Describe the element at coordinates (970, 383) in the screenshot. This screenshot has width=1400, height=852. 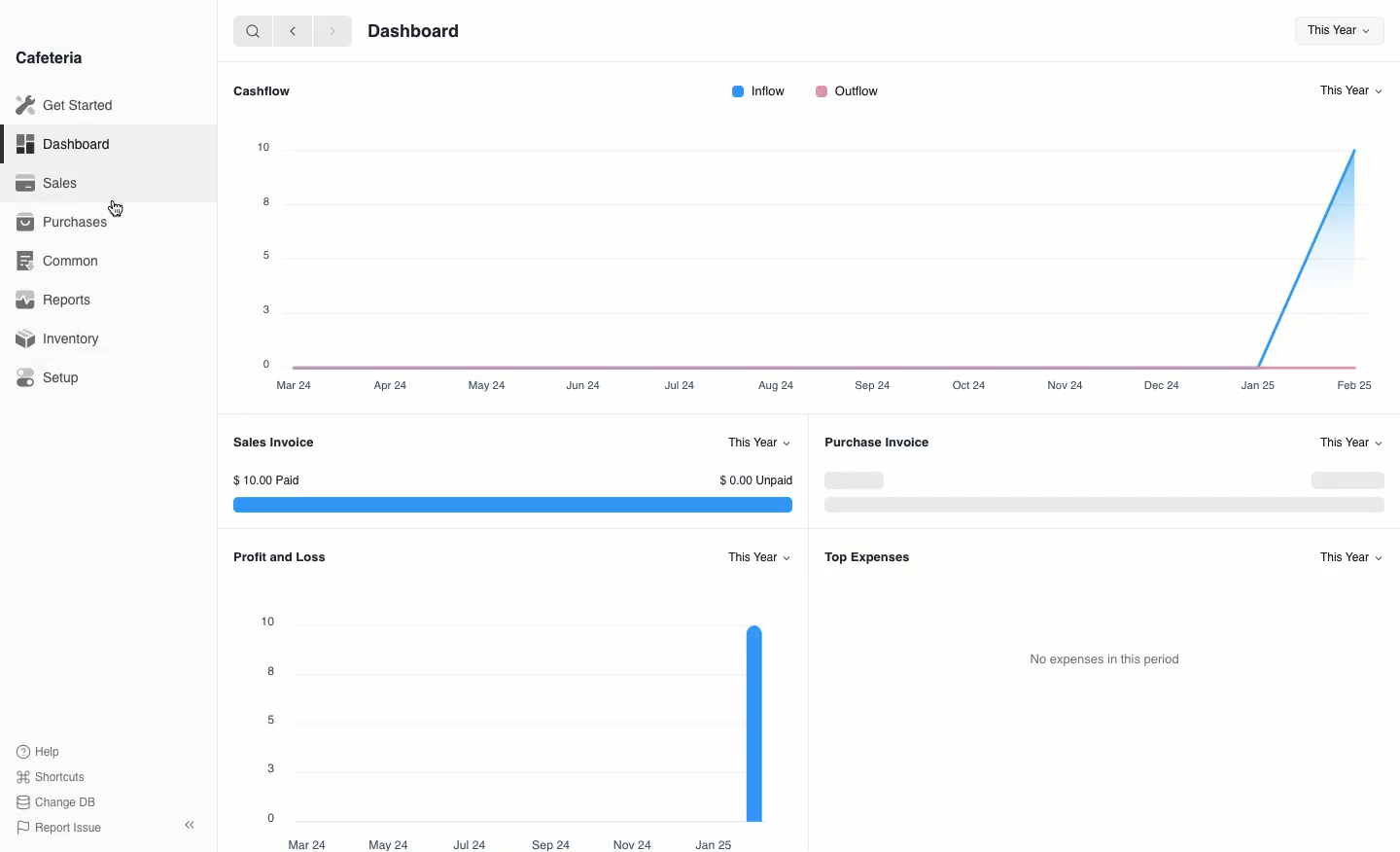
I see `Oct24` at that location.